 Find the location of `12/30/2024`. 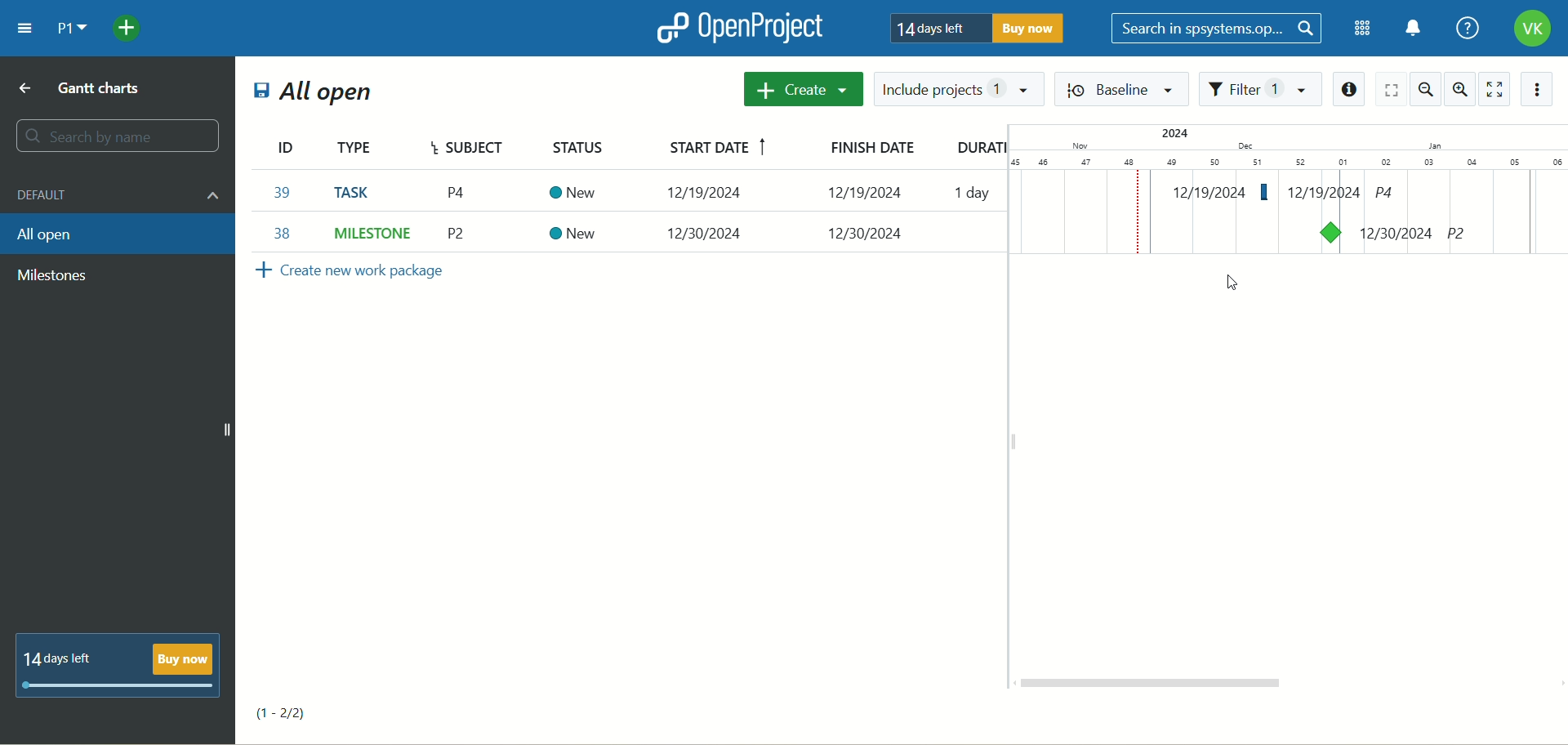

12/30/2024 is located at coordinates (869, 192).